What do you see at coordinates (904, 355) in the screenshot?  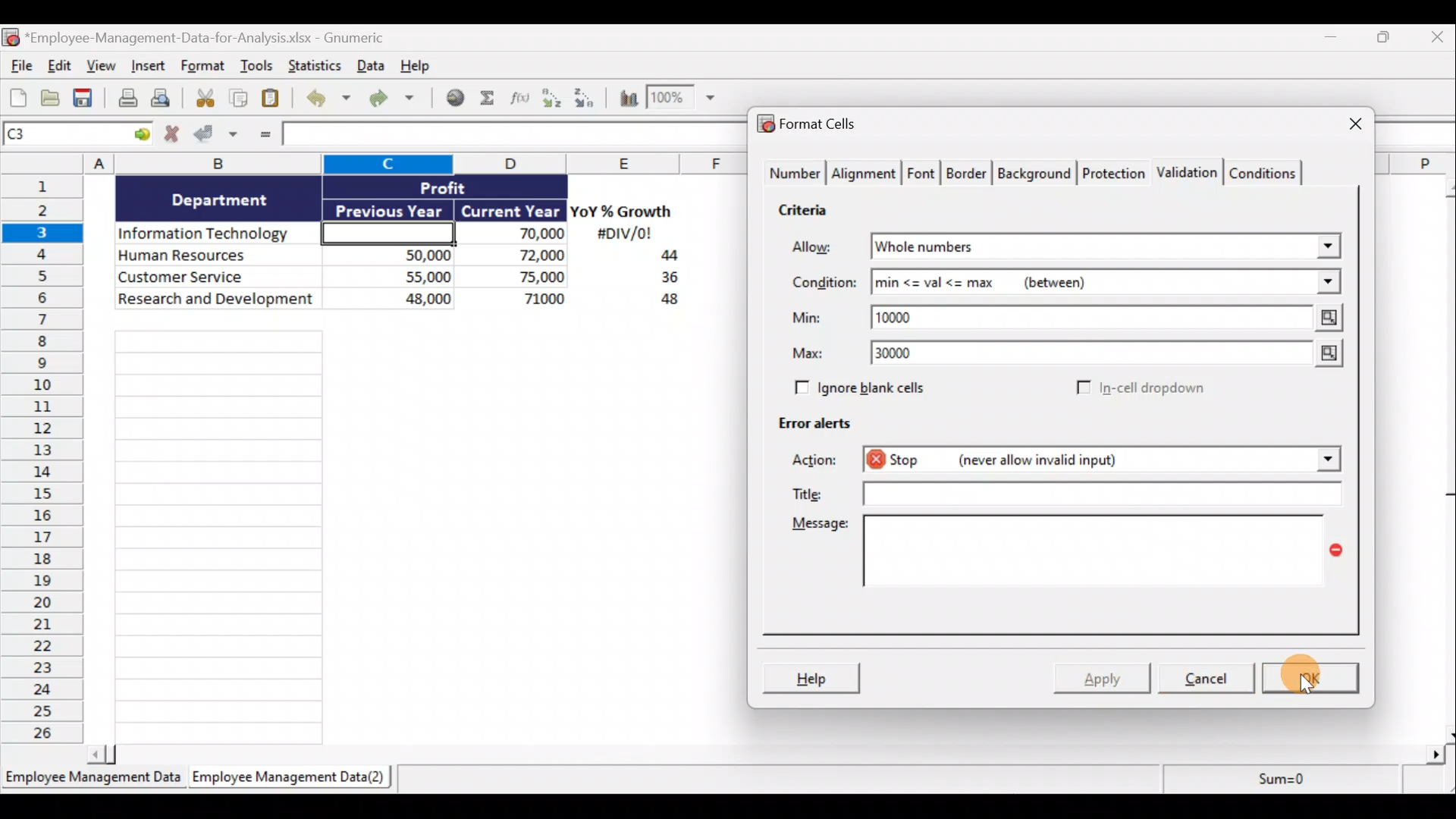 I see `30000` at bounding box center [904, 355].